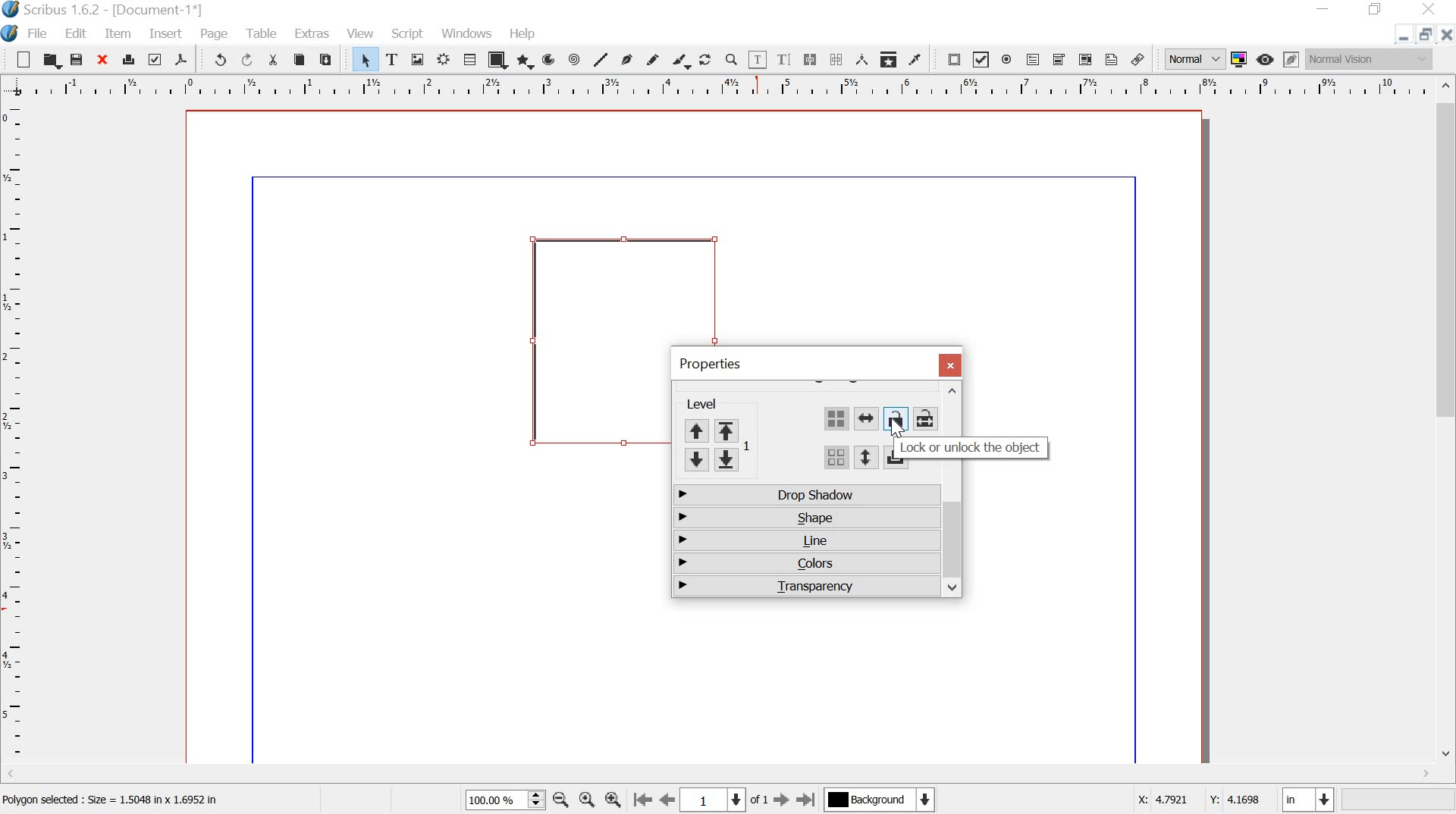 The width and height of the screenshot is (1456, 814). Describe the element at coordinates (1241, 59) in the screenshot. I see `toggle color management system` at that location.